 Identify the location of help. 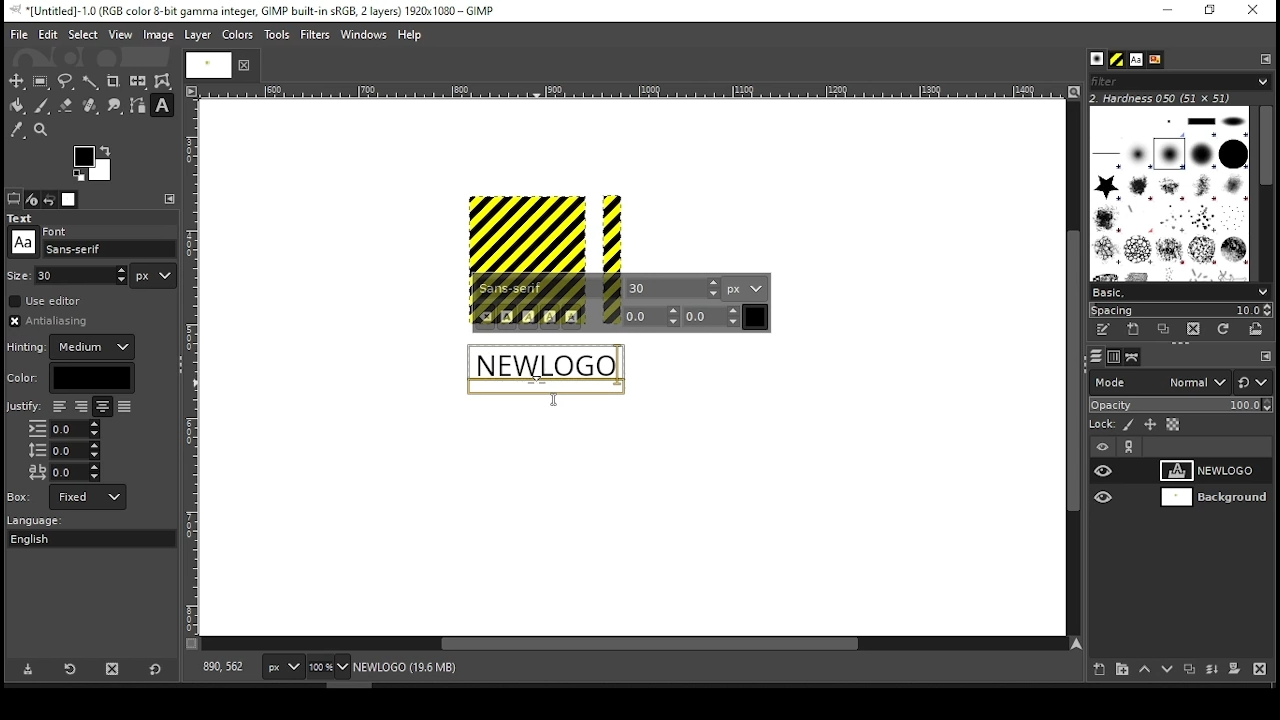
(410, 36).